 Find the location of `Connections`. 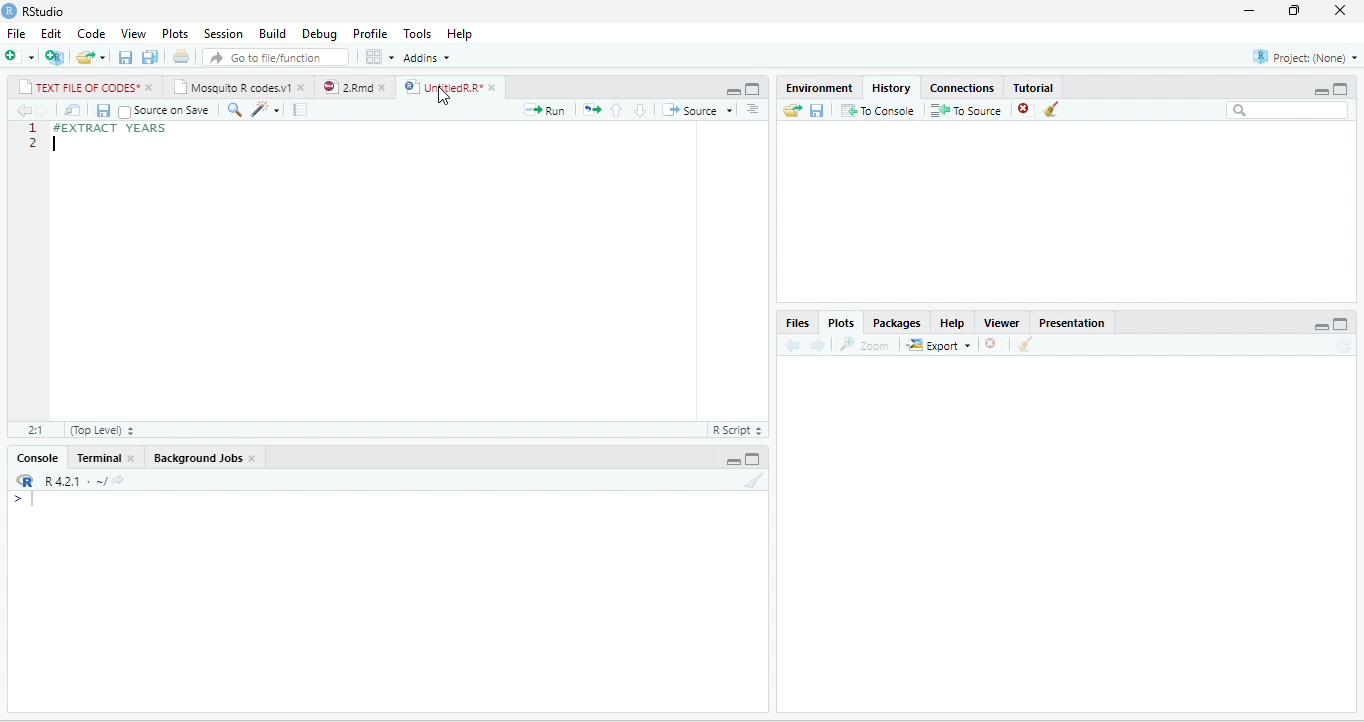

Connections is located at coordinates (963, 89).